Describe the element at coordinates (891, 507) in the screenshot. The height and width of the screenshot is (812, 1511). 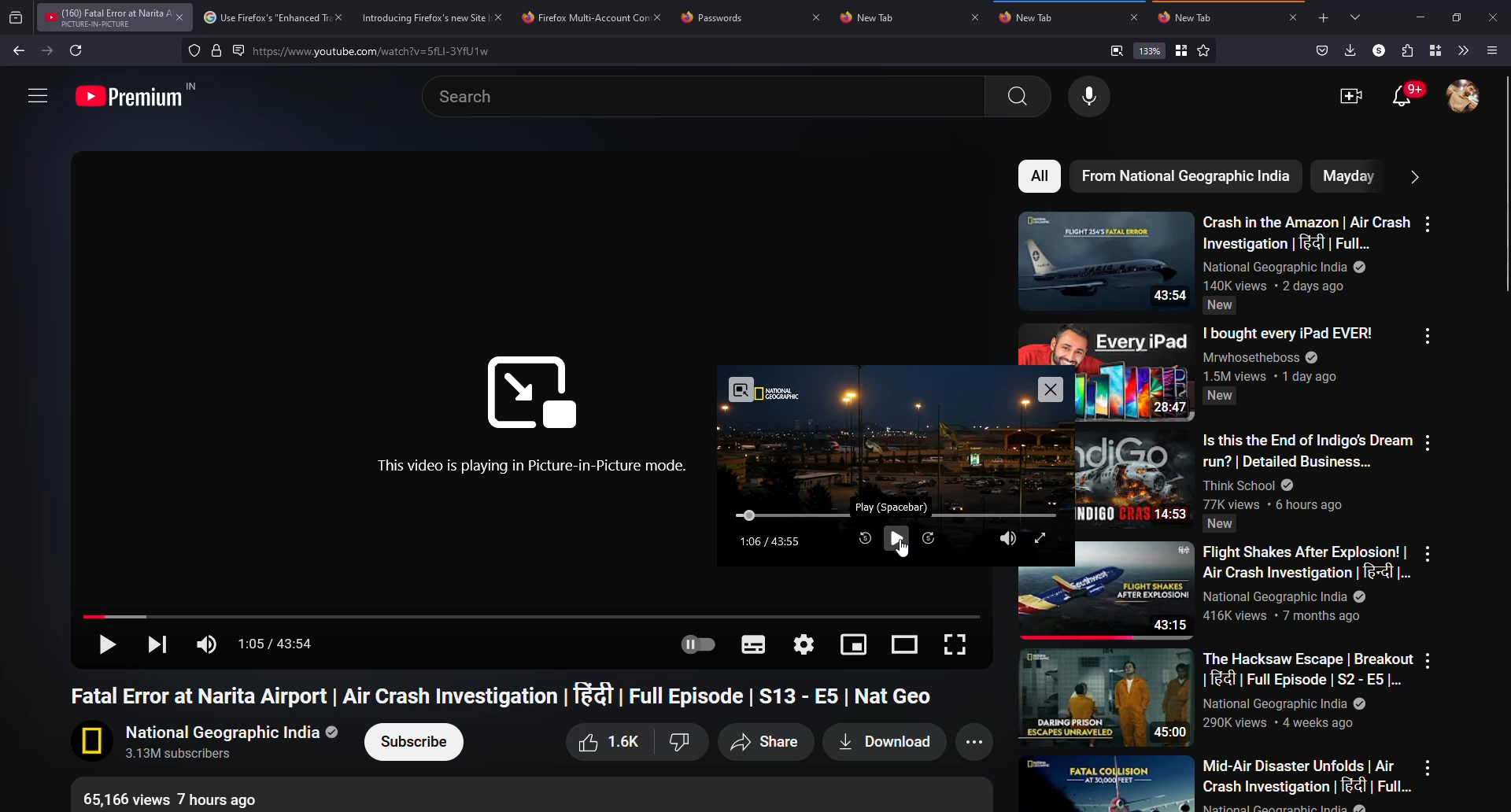
I see `play button description` at that location.